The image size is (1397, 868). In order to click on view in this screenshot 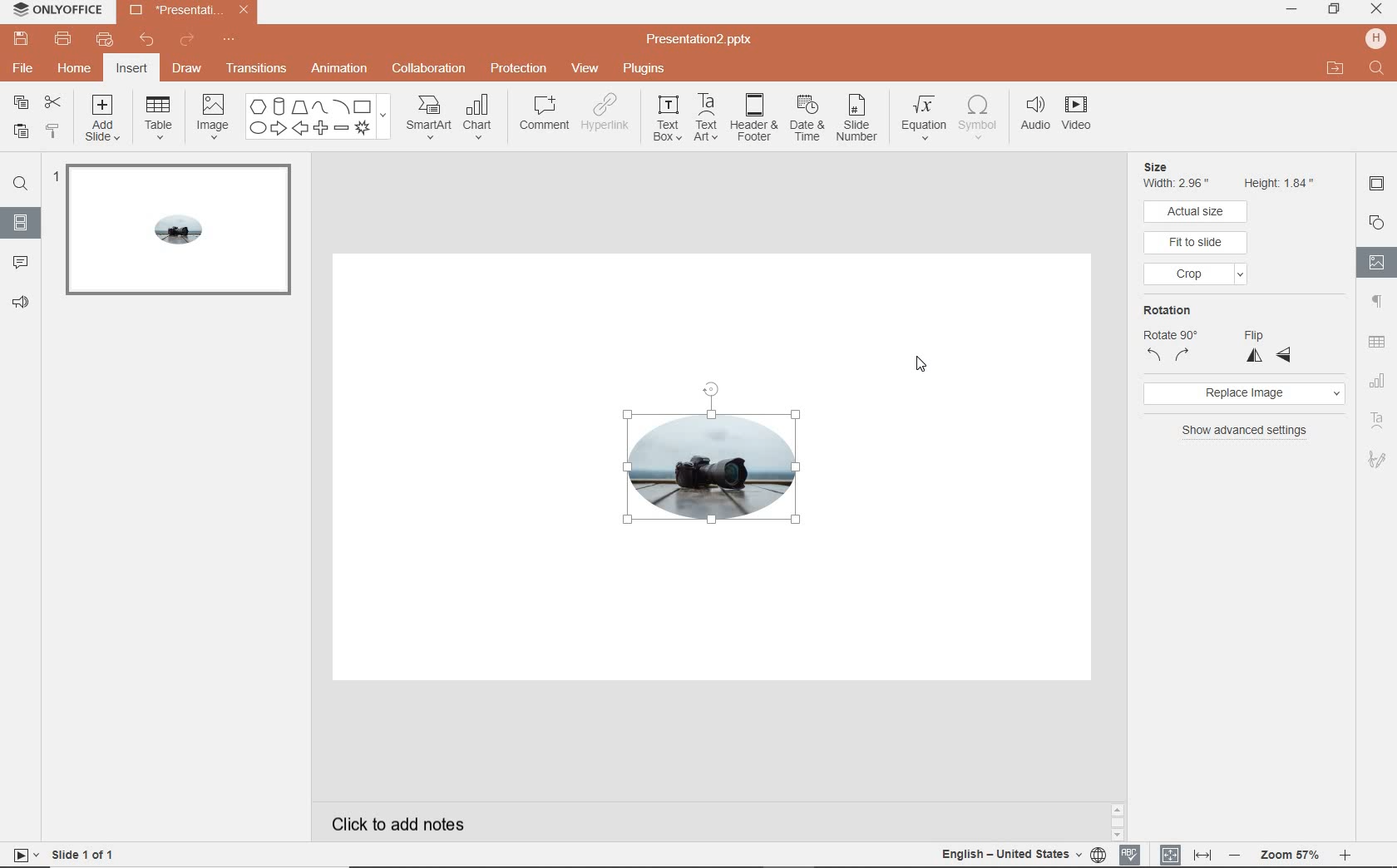, I will do `click(586, 67)`.